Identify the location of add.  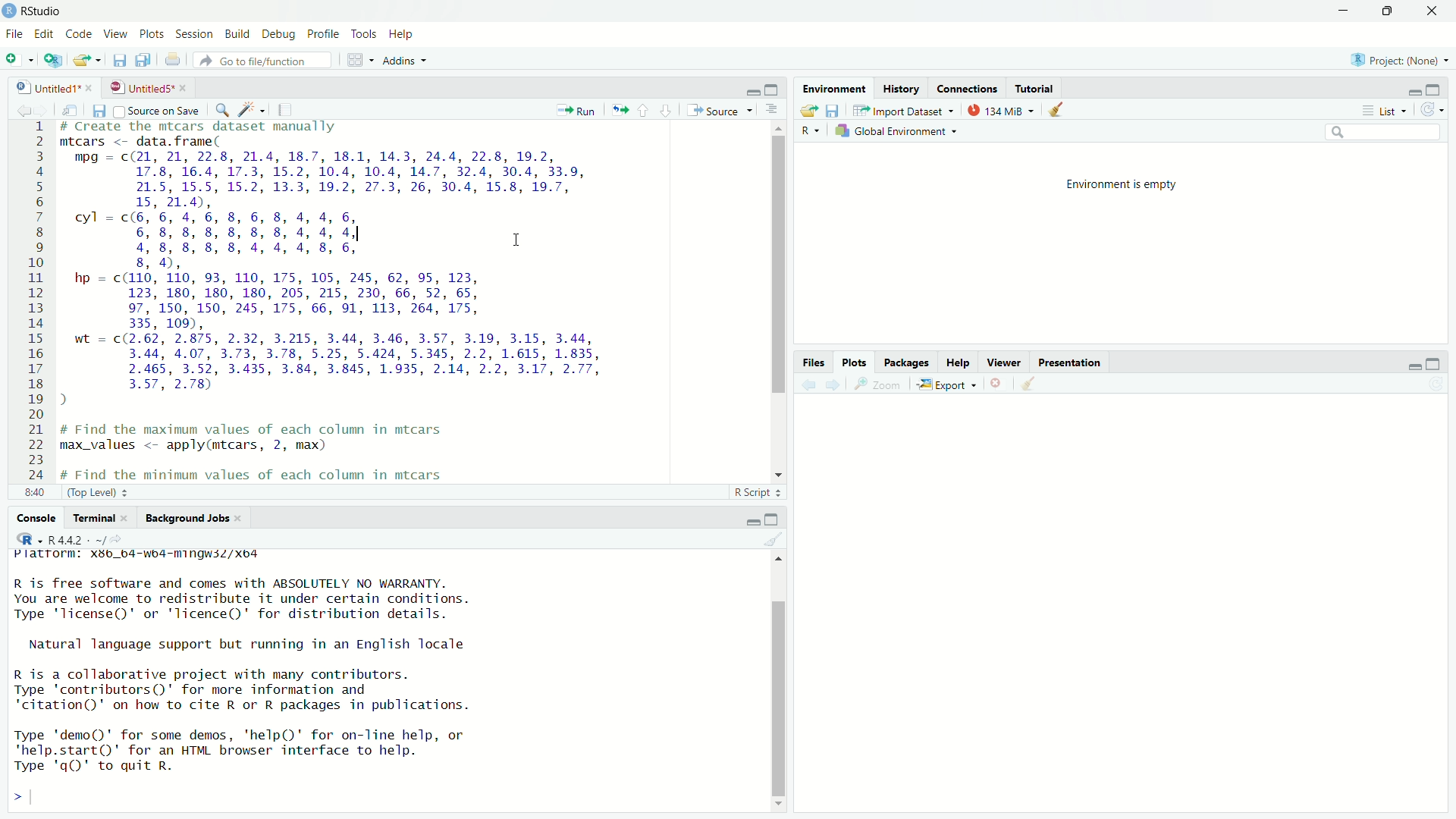
(18, 62).